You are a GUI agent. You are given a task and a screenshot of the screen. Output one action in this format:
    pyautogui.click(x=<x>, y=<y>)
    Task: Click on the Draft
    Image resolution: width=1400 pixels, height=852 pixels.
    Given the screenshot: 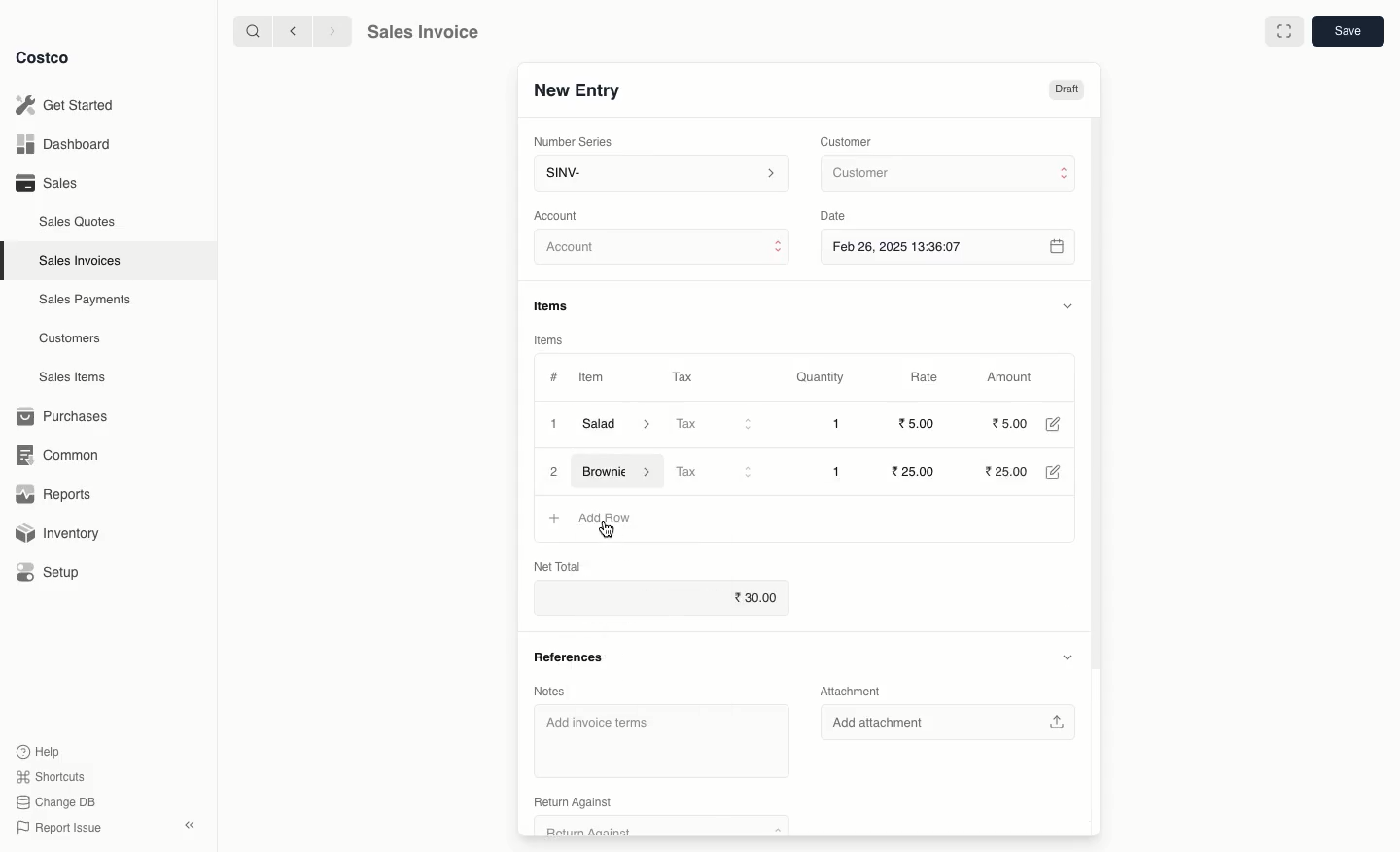 What is the action you would take?
    pyautogui.click(x=1067, y=90)
    